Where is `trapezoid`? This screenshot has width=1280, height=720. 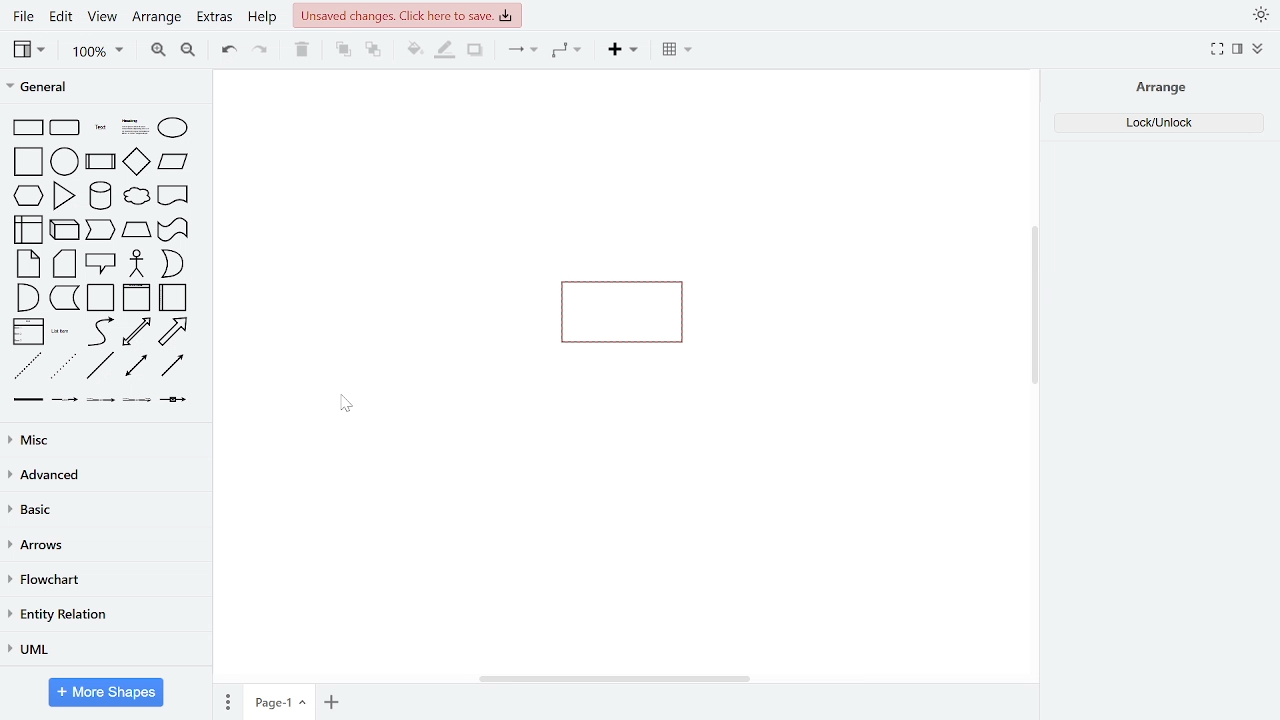 trapezoid is located at coordinates (173, 229).